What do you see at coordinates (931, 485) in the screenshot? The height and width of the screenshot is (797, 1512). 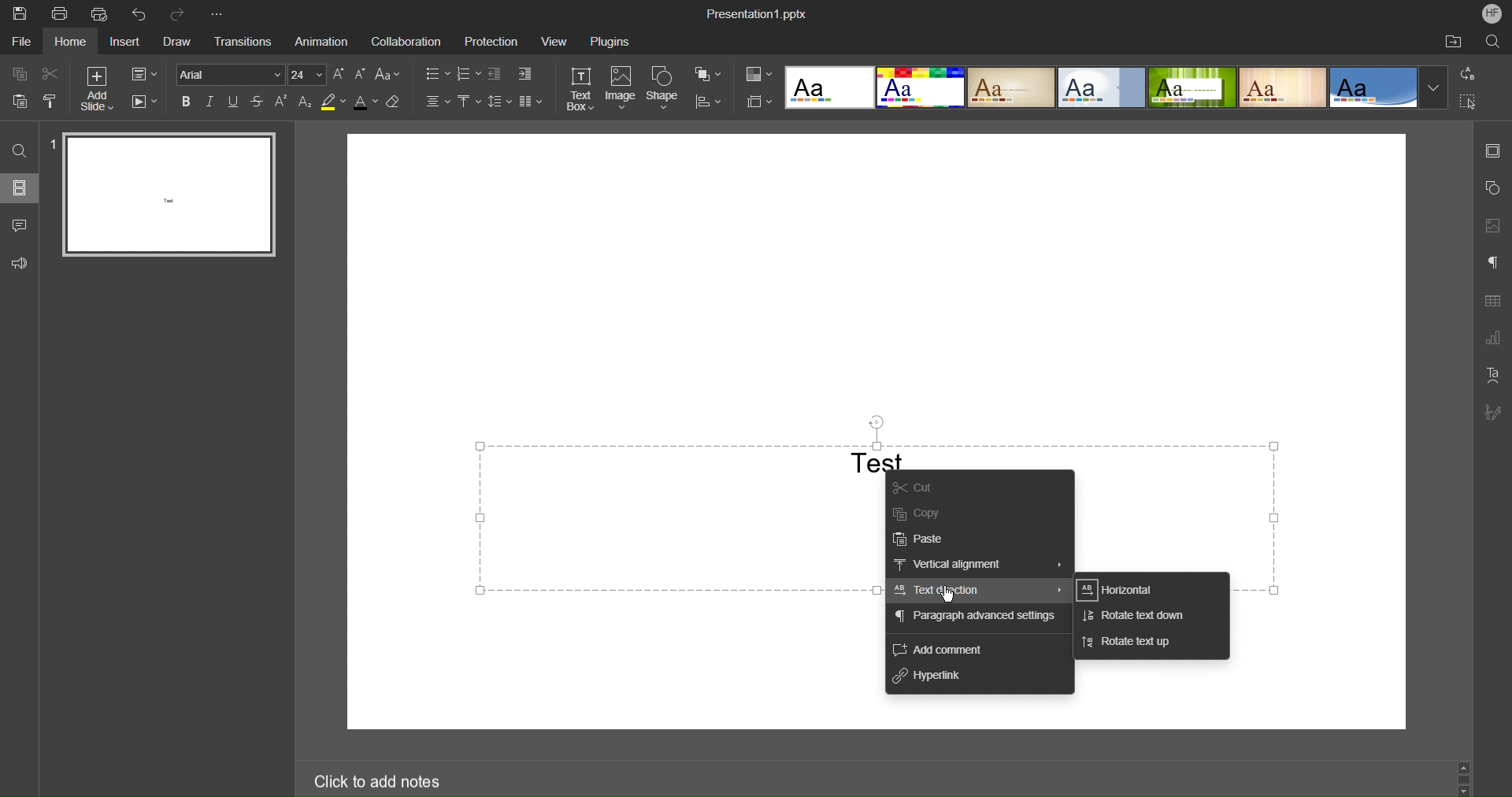 I see `Cut` at bounding box center [931, 485].